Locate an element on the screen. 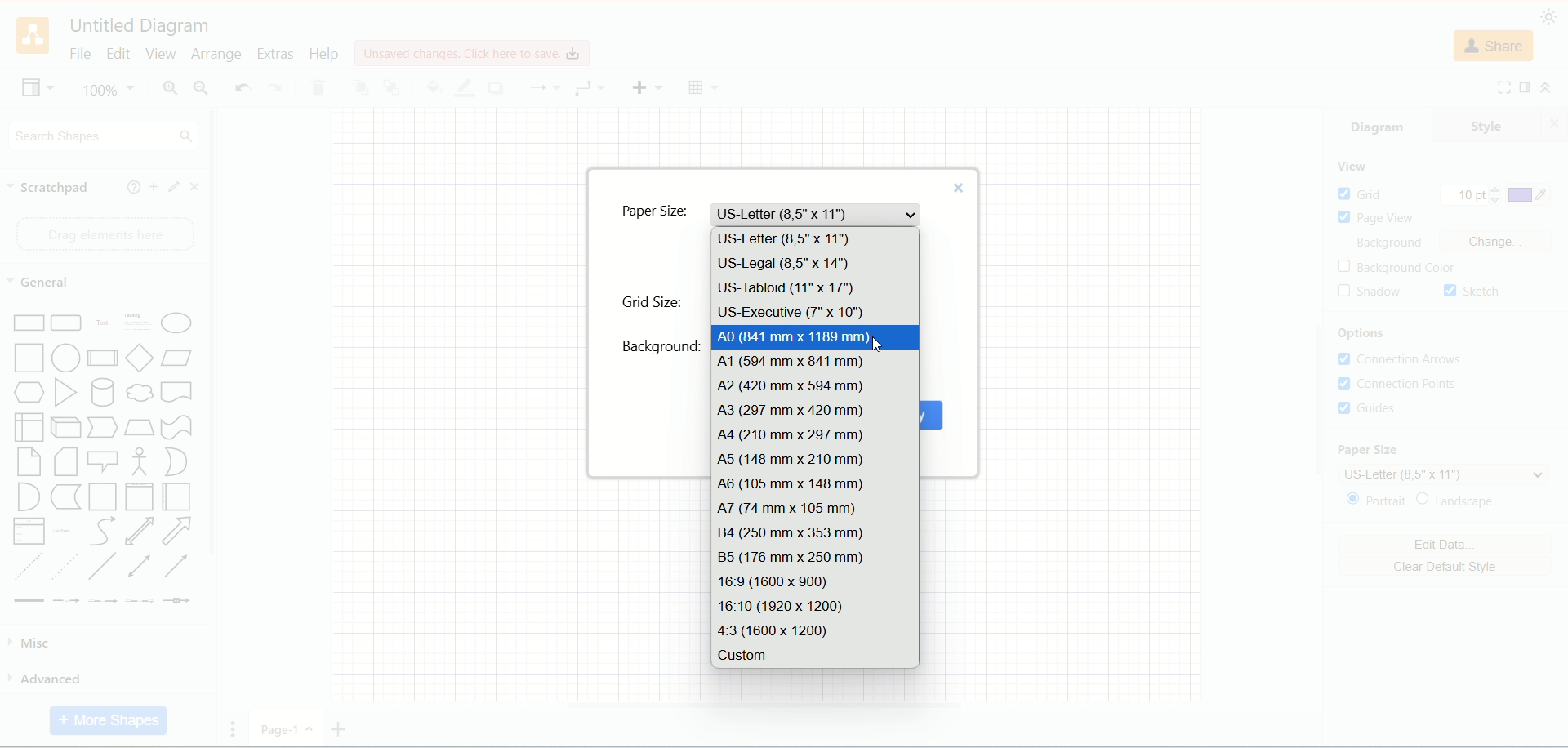 The image size is (1568, 748). fill color is located at coordinates (430, 86).